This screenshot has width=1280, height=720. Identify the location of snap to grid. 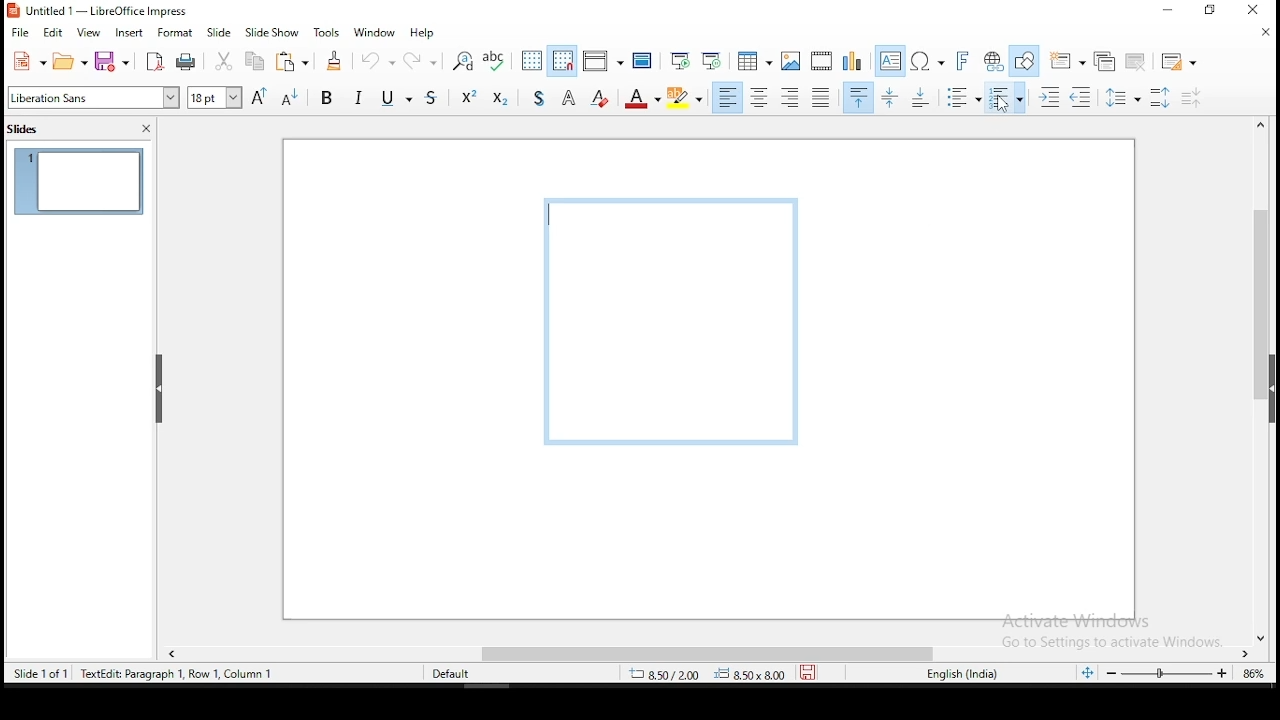
(562, 61).